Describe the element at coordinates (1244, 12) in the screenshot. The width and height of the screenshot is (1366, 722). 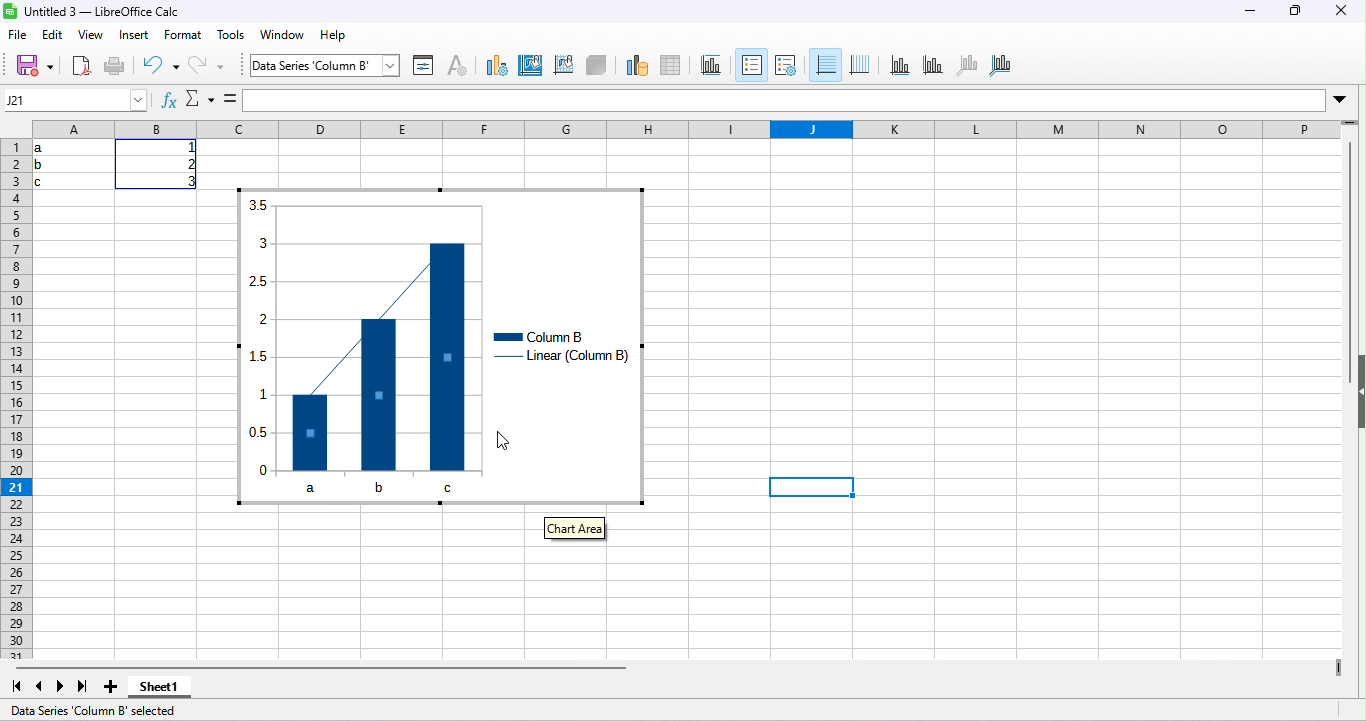
I see `minimize` at that location.